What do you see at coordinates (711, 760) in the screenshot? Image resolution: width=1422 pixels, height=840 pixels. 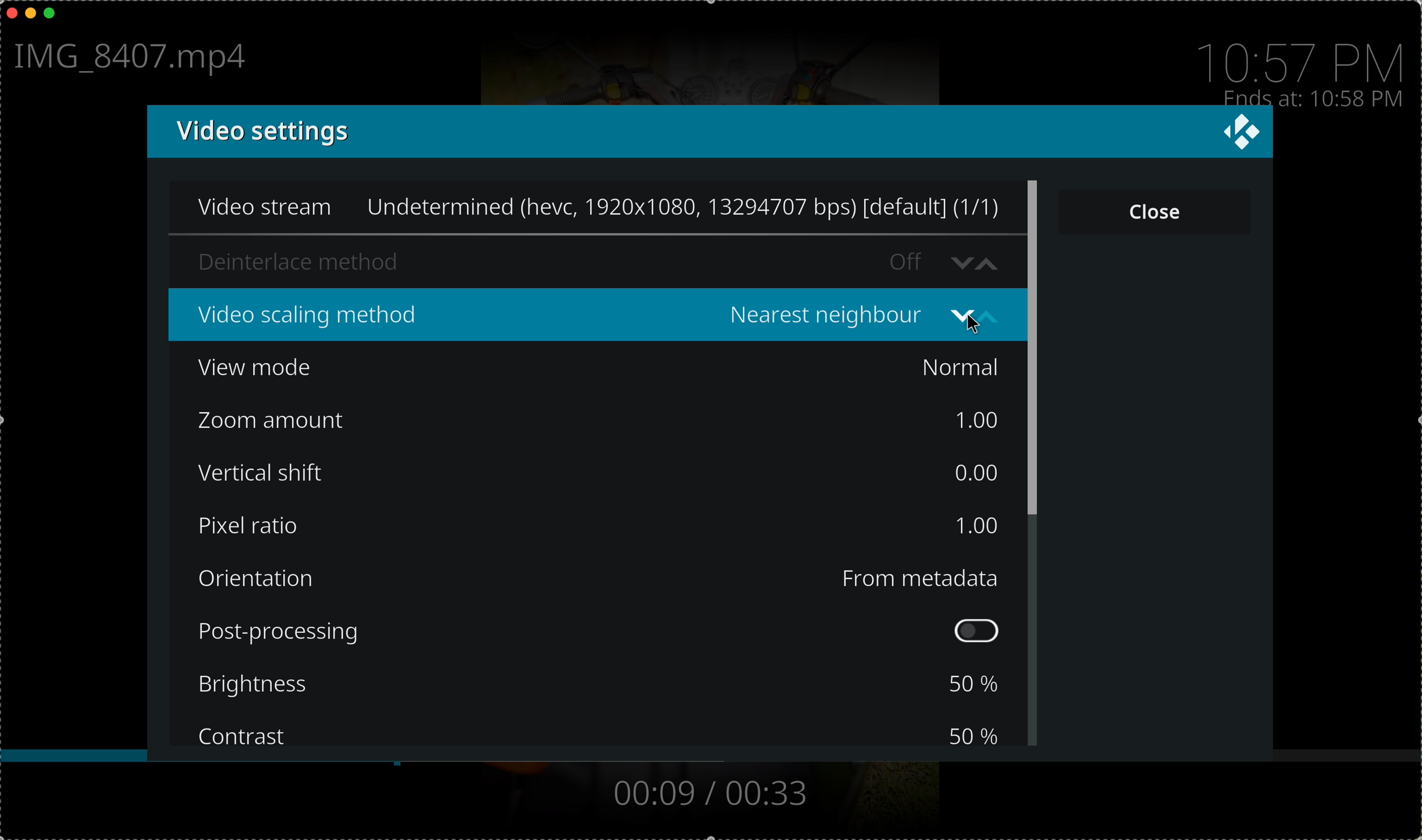 I see `timeline` at bounding box center [711, 760].